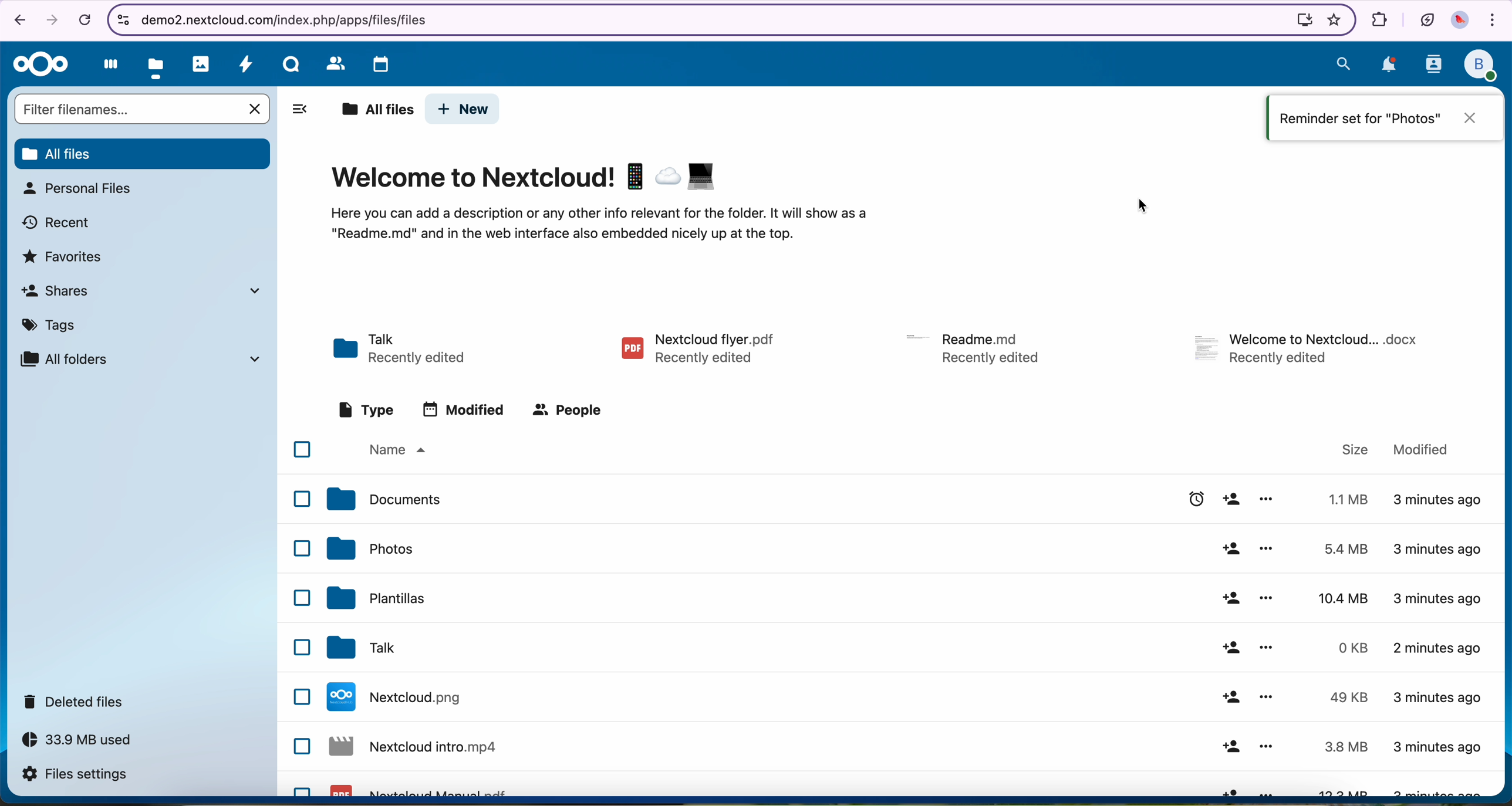  Describe the element at coordinates (64, 258) in the screenshot. I see `favorites` at that location.